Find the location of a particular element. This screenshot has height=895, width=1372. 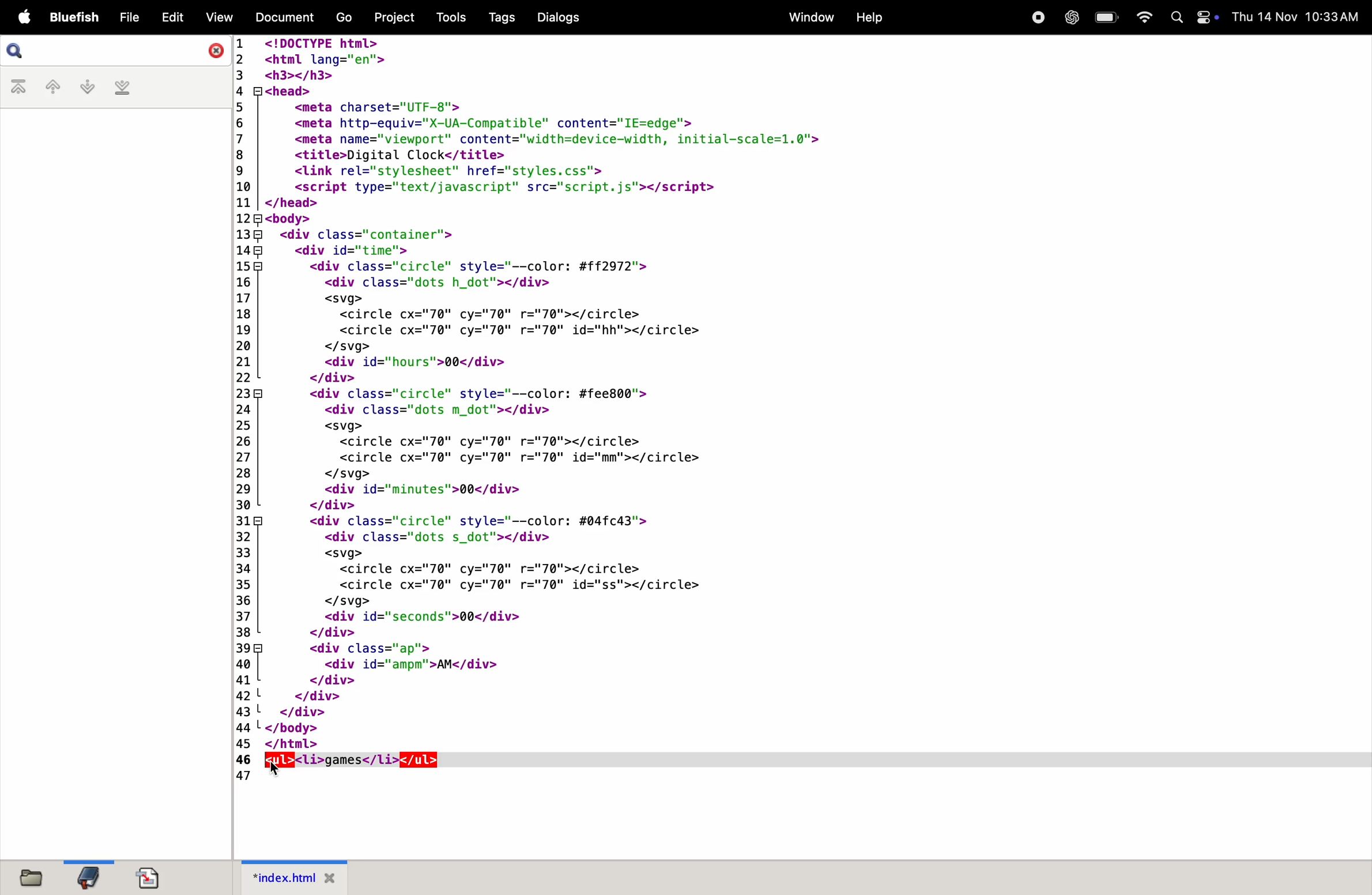

apple widgets is located at coordinates (1193, 17).